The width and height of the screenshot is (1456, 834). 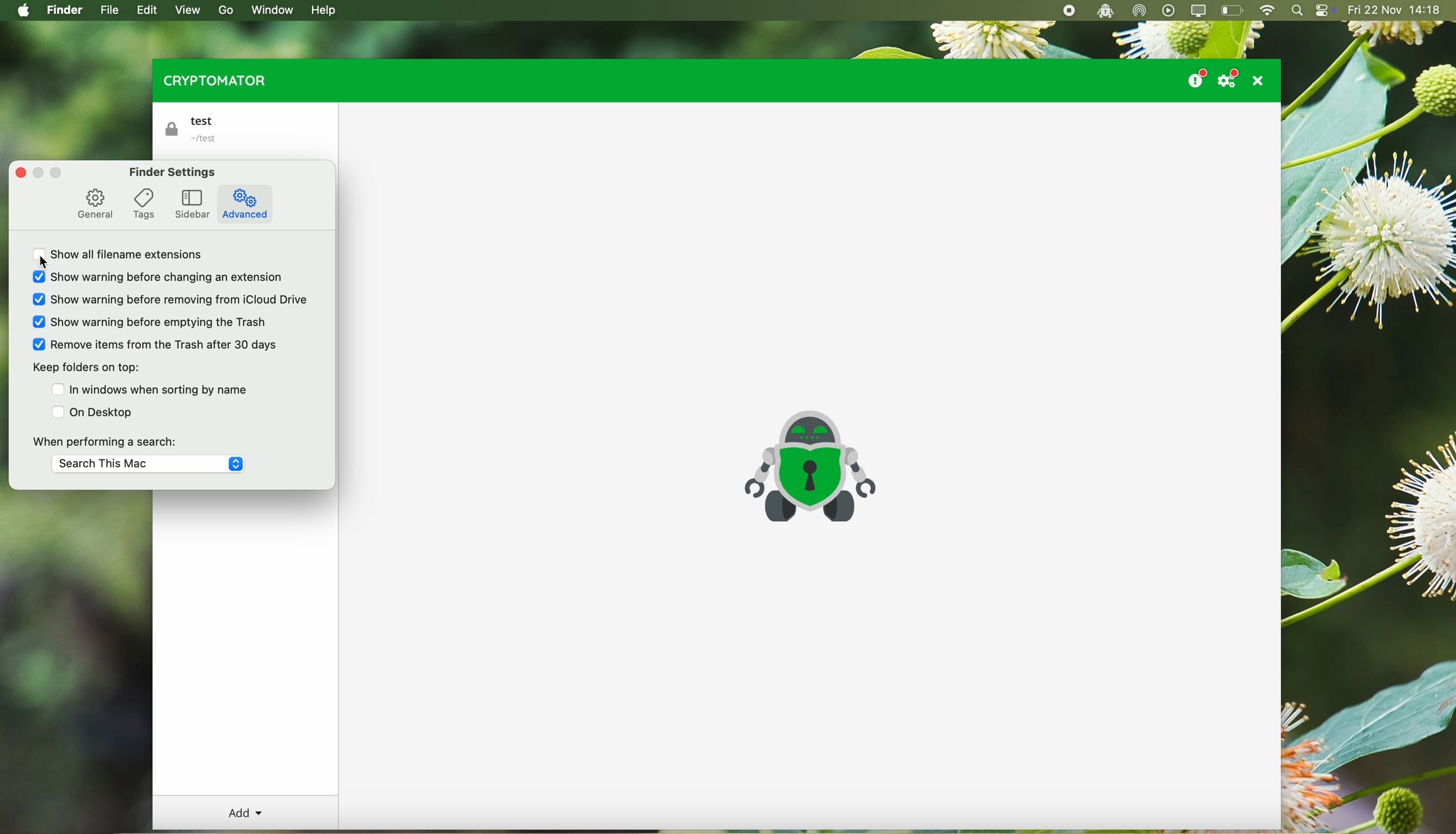 What do you see at coordinates (47, 263) in the screenshot?
I see `Cursor ` at bounding box center [47, 263].